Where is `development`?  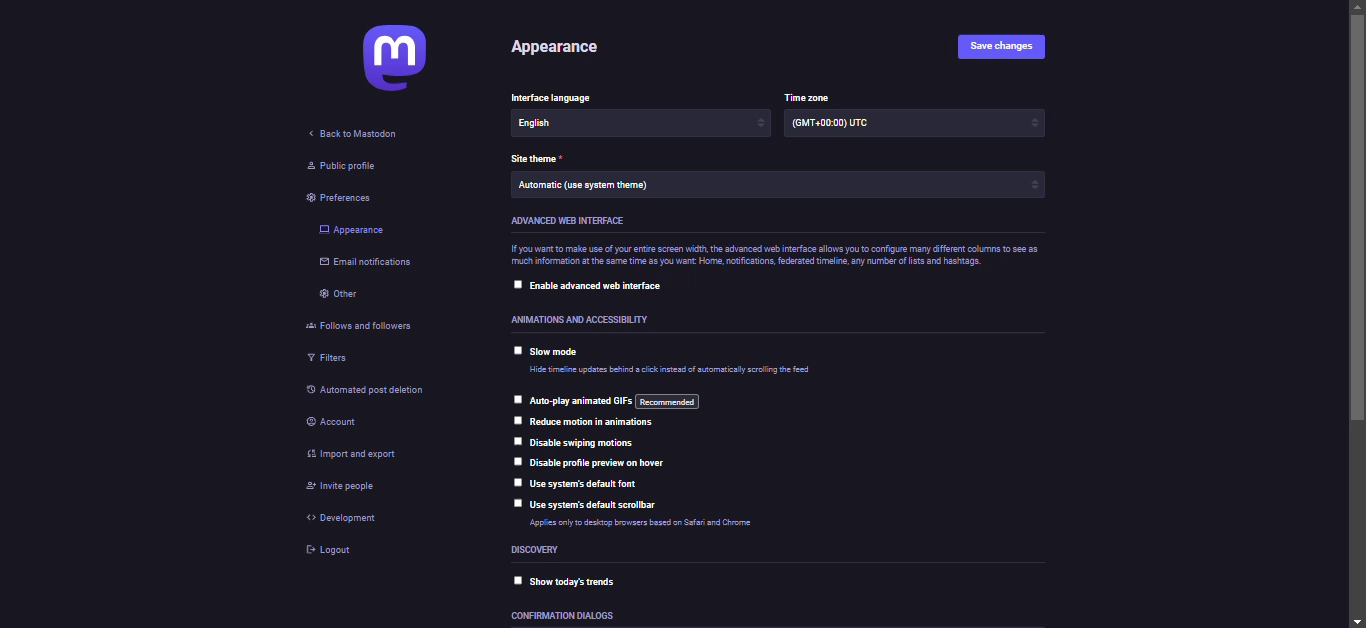
development is located at coordinates (345, 517).